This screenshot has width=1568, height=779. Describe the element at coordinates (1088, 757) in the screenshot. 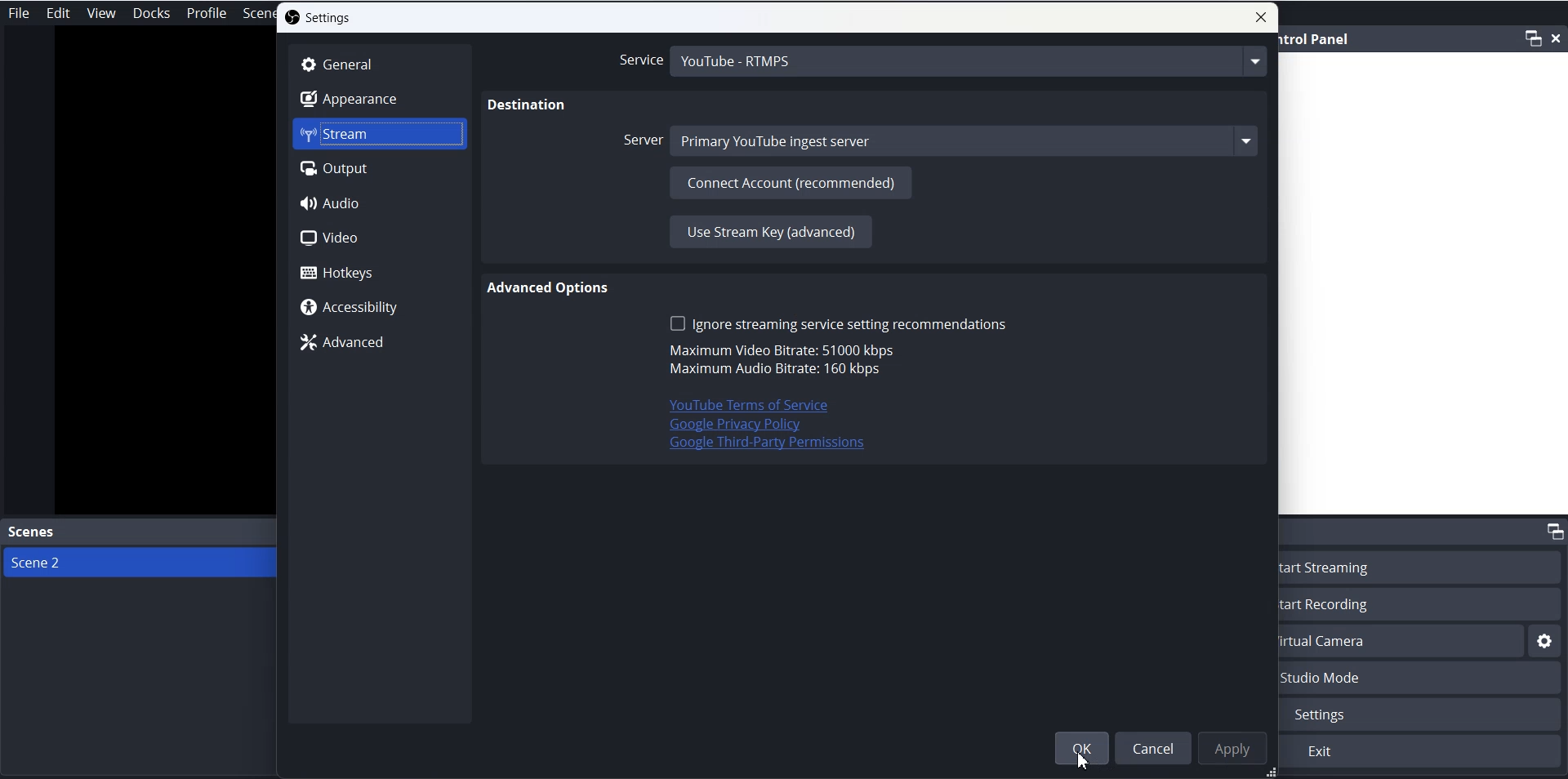

I see `Cursor on OK` at that location.